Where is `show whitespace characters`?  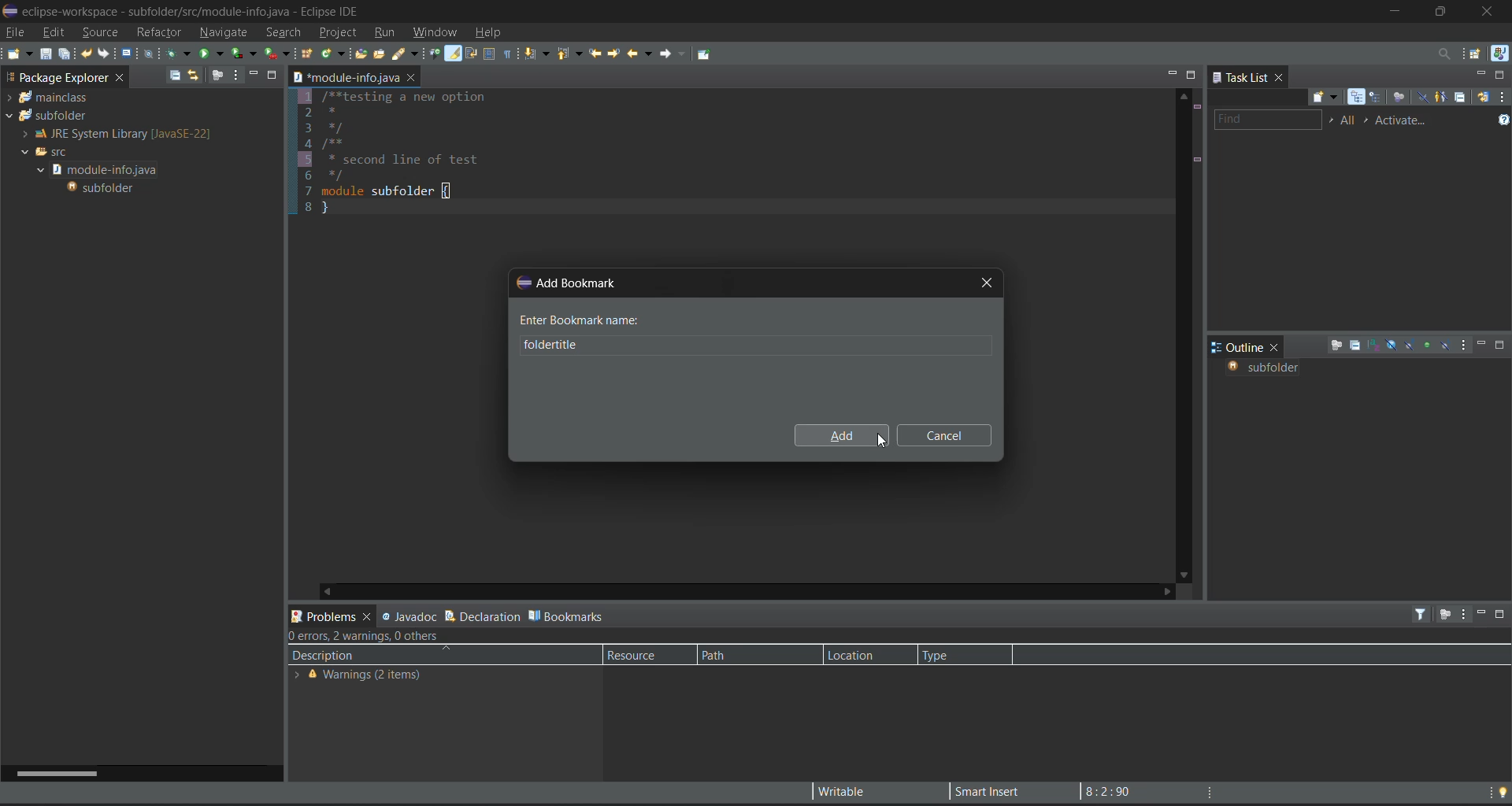 show whitespace characters is located at coordinates (509, 54).